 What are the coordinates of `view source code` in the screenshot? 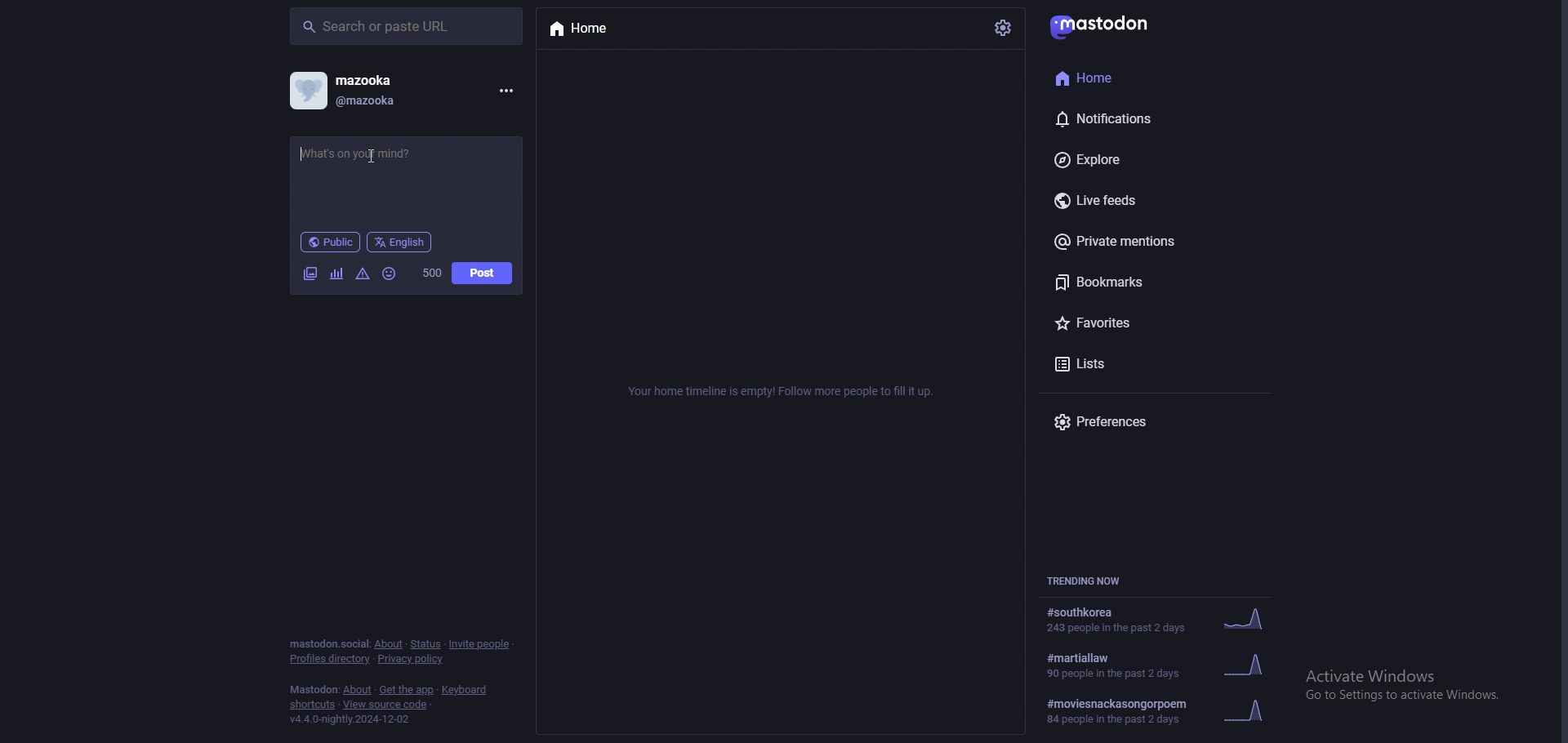 It's located at (387, 705).